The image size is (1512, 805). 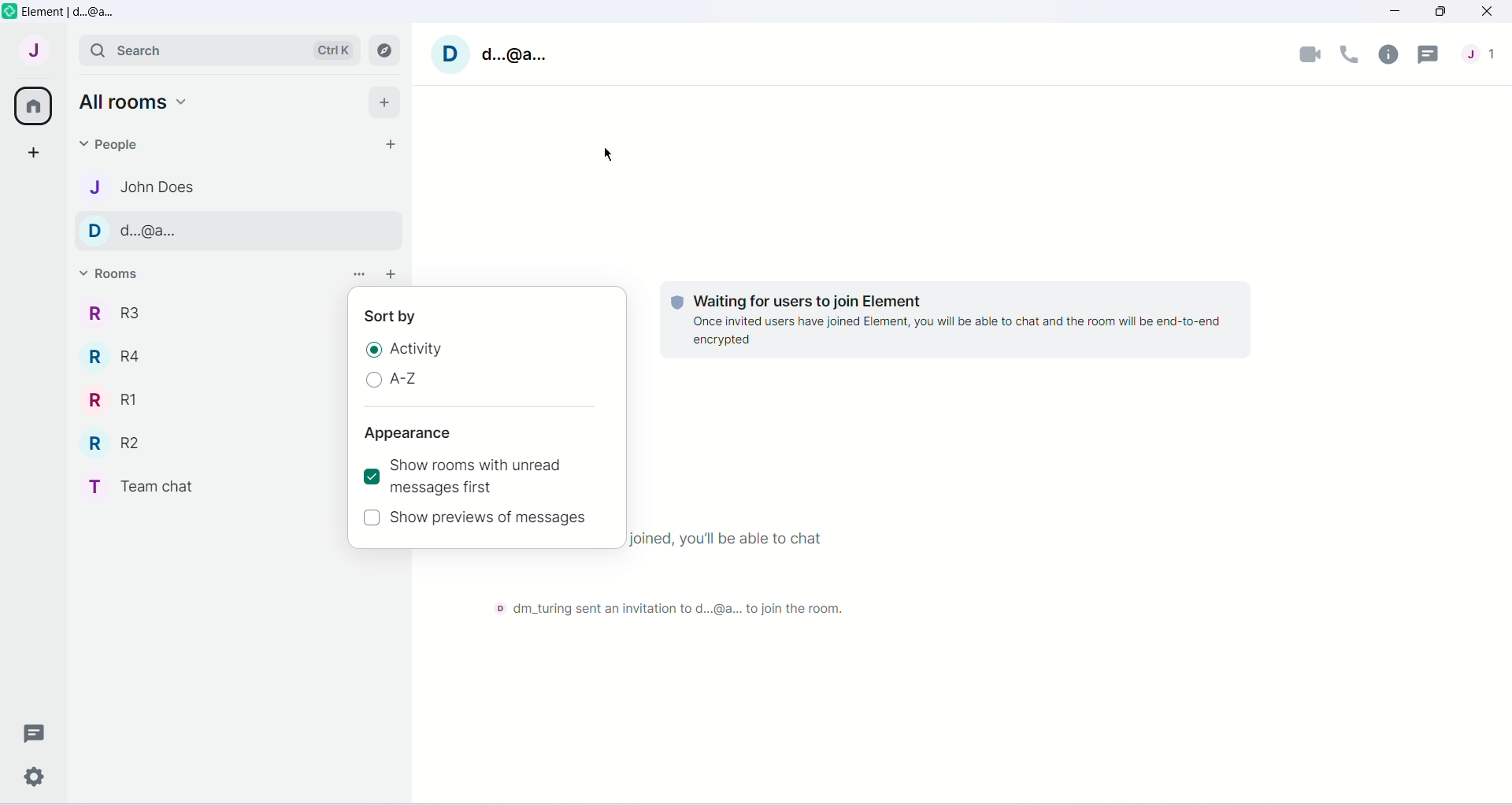 What do you see at coordinates (120, 314) in the screenshot?
I see `Room Name-r3` at bounding box center [120, 314].